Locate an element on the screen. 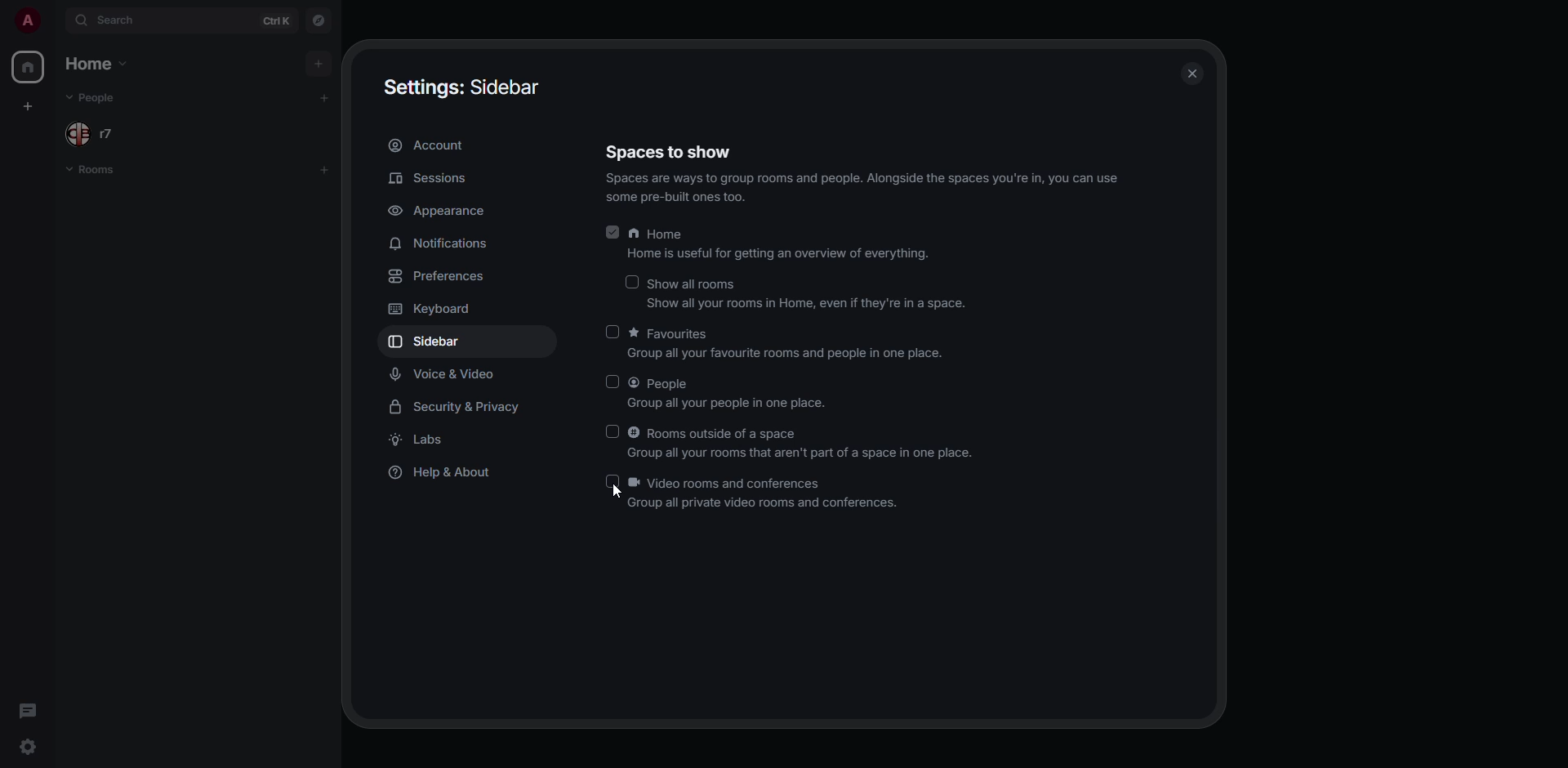 The width and height of the screenshot is (1568, 768). keyboard is located at coordinates (436, 308).